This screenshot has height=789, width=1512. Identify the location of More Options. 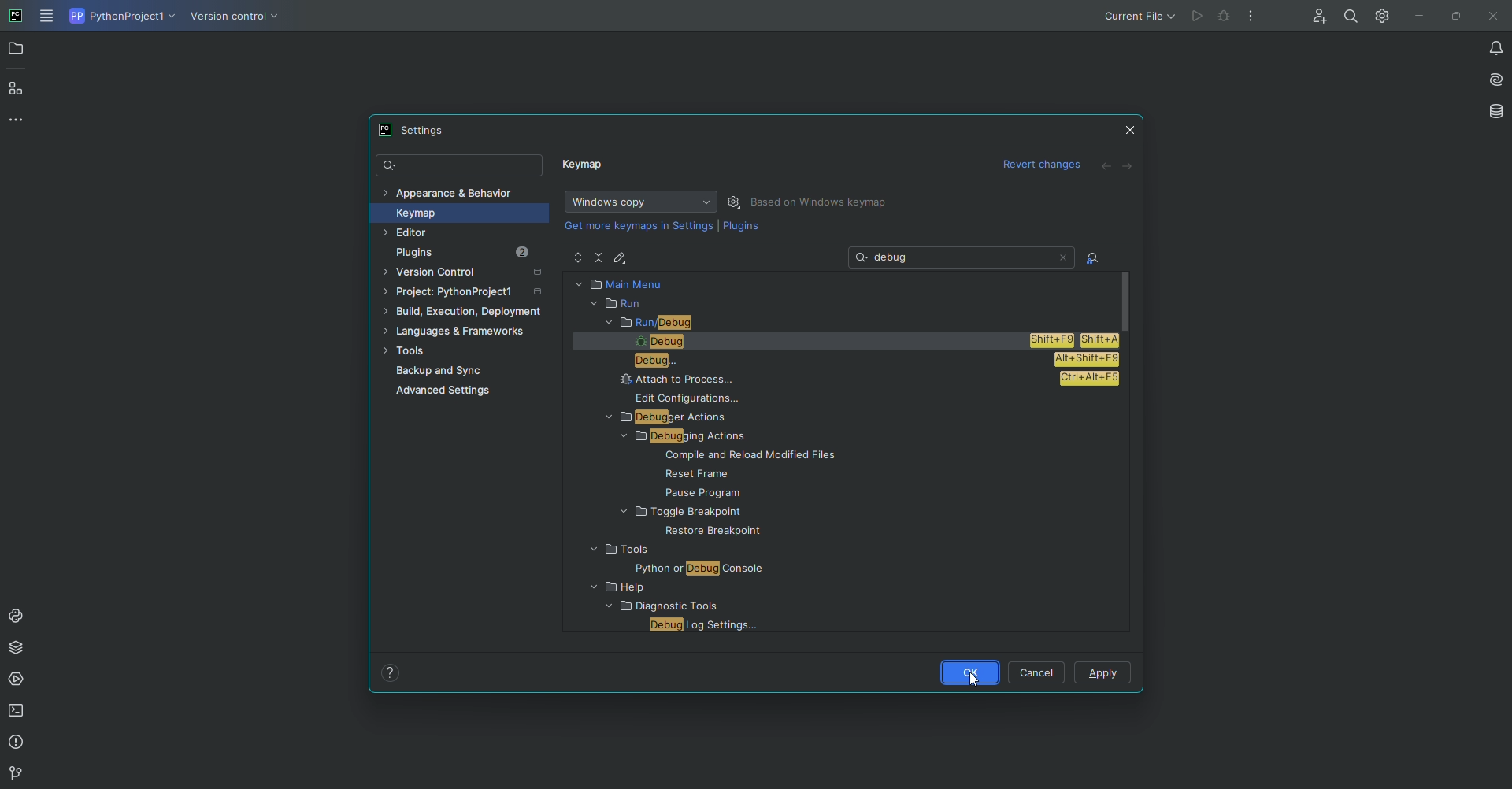
(1254, 20).